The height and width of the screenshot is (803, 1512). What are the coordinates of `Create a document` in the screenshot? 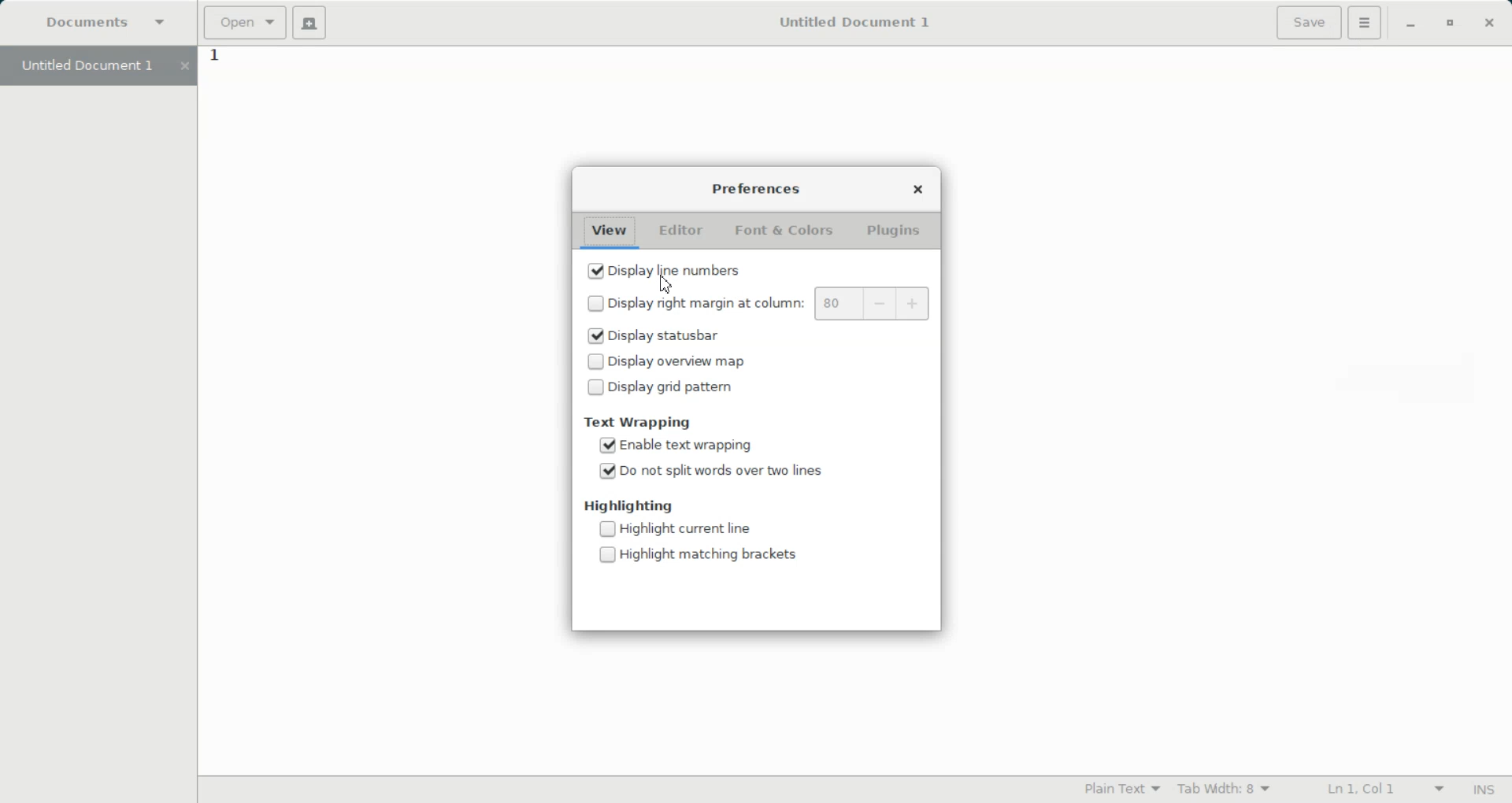 It's located at (312, 23).